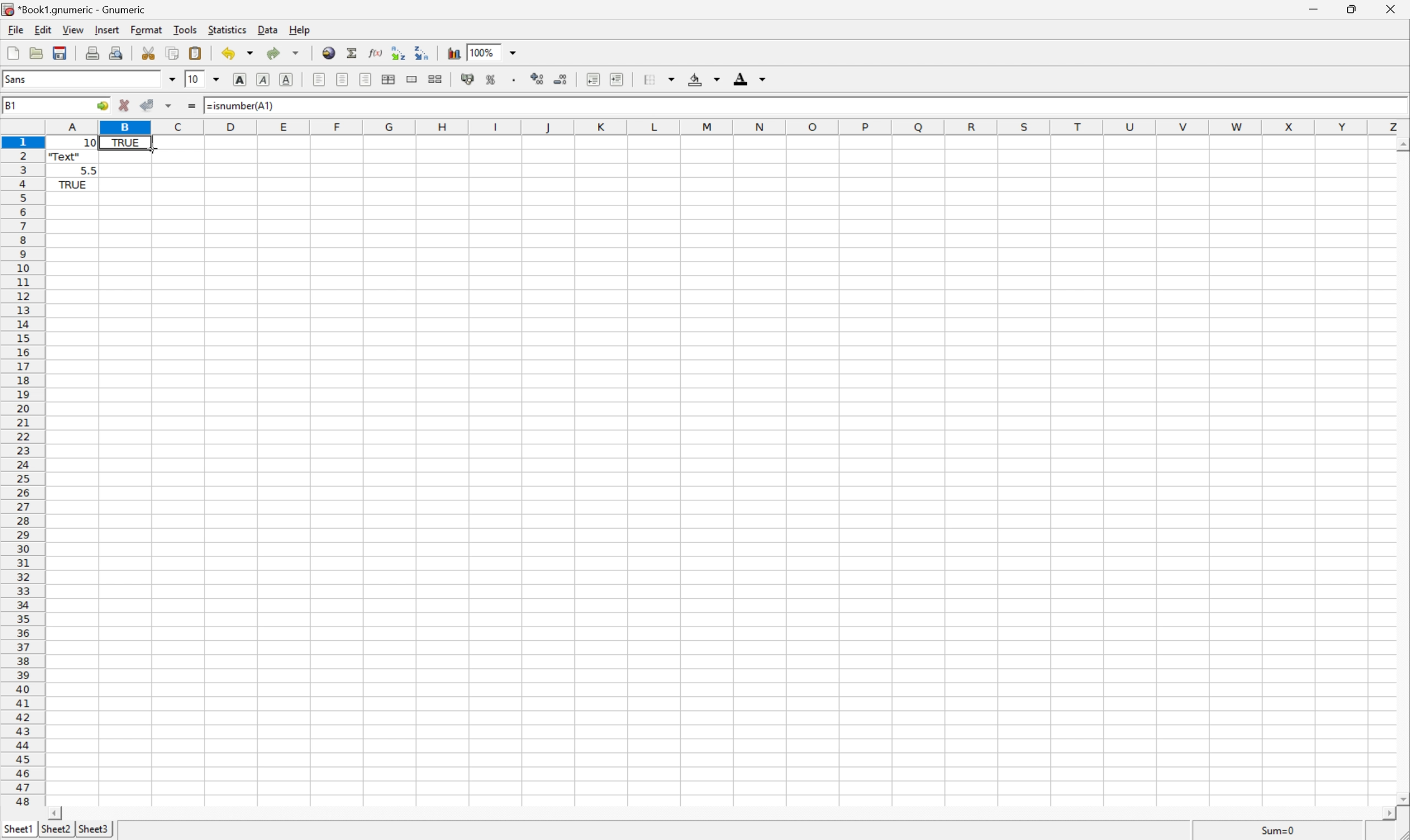 Image resolution: width=1410 pixels, height=840 pixels. I want to click on Scroll Right, so click(1381, 812).